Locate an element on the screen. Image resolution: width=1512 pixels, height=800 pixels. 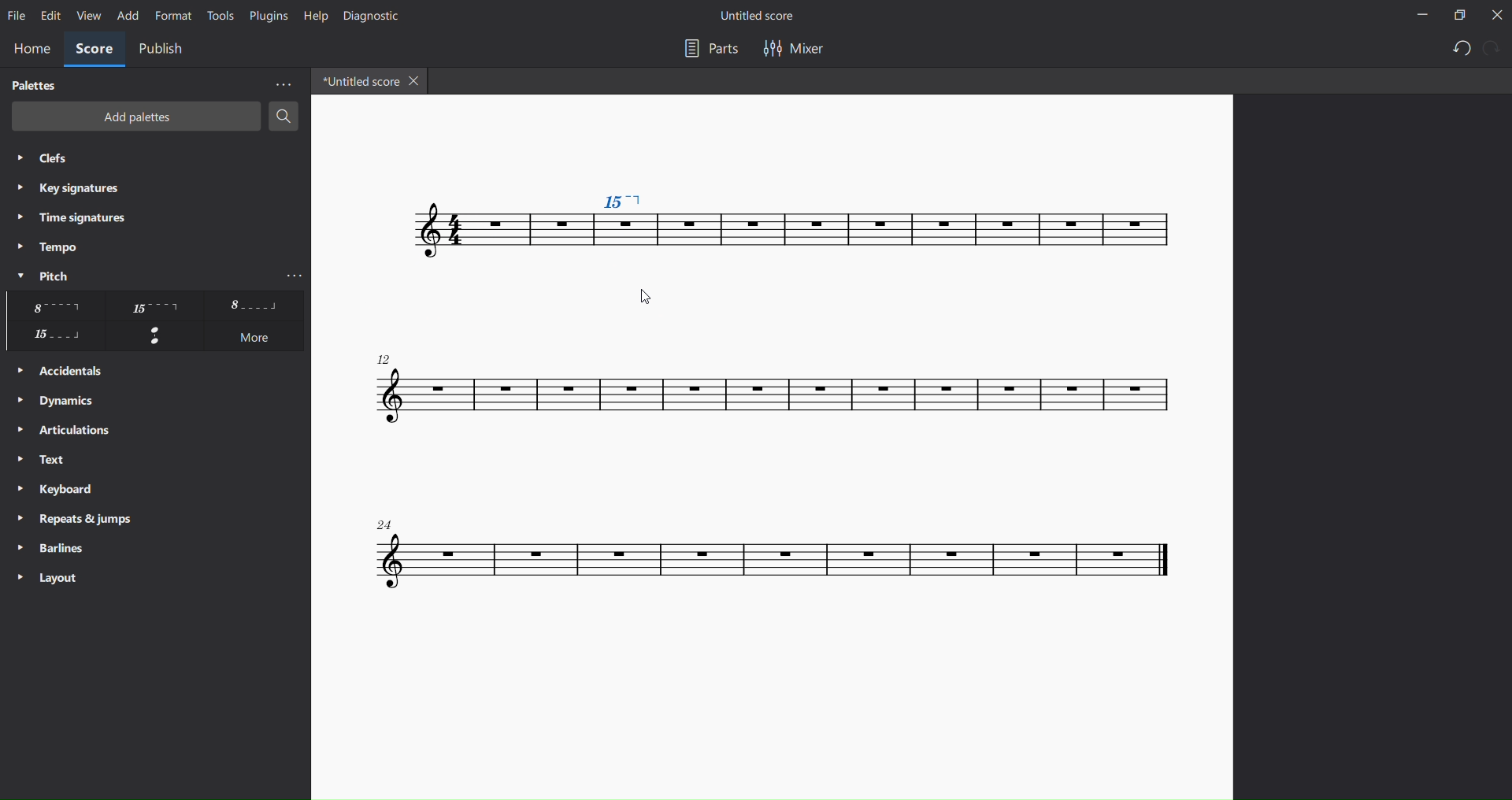
other pitch is located at coordinates (53, 337).